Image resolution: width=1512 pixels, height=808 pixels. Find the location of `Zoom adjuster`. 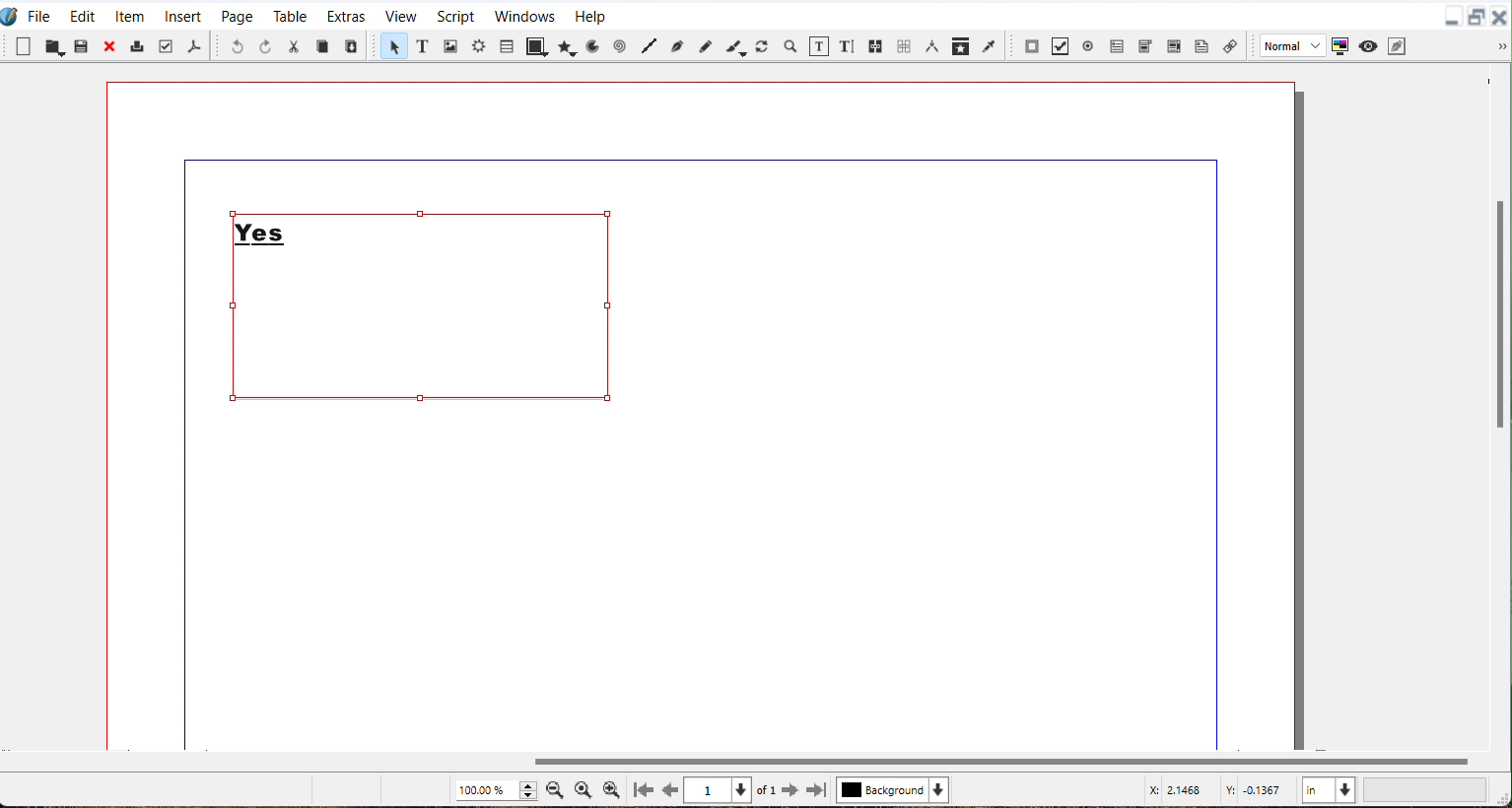

Zoom adjuster is located at coordinates (495, 790).